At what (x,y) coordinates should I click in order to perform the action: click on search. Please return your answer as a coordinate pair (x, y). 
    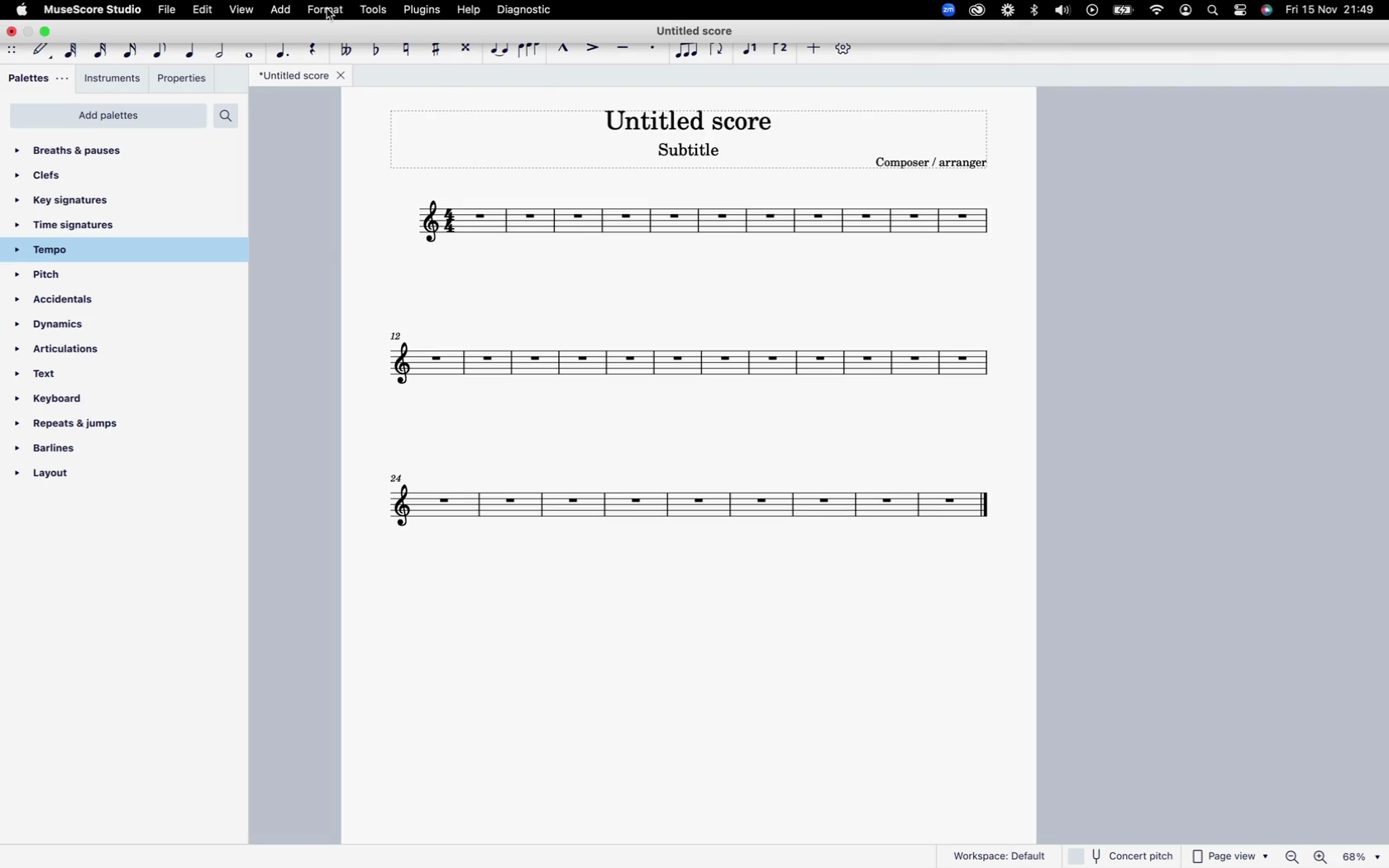
    Looking at the image, I should click on (225, 115).